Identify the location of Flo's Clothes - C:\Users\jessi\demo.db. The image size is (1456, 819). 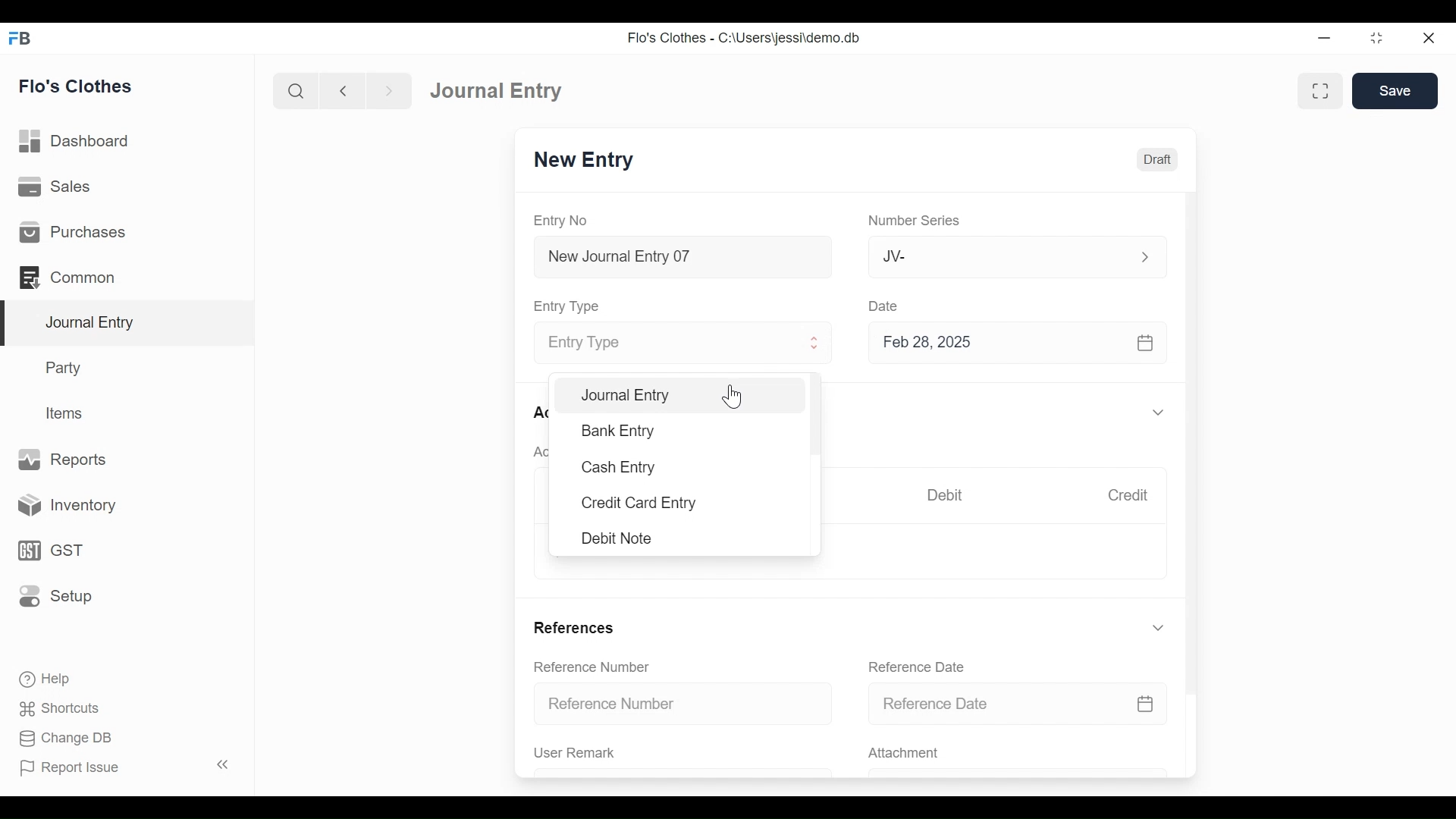
(746, 38).